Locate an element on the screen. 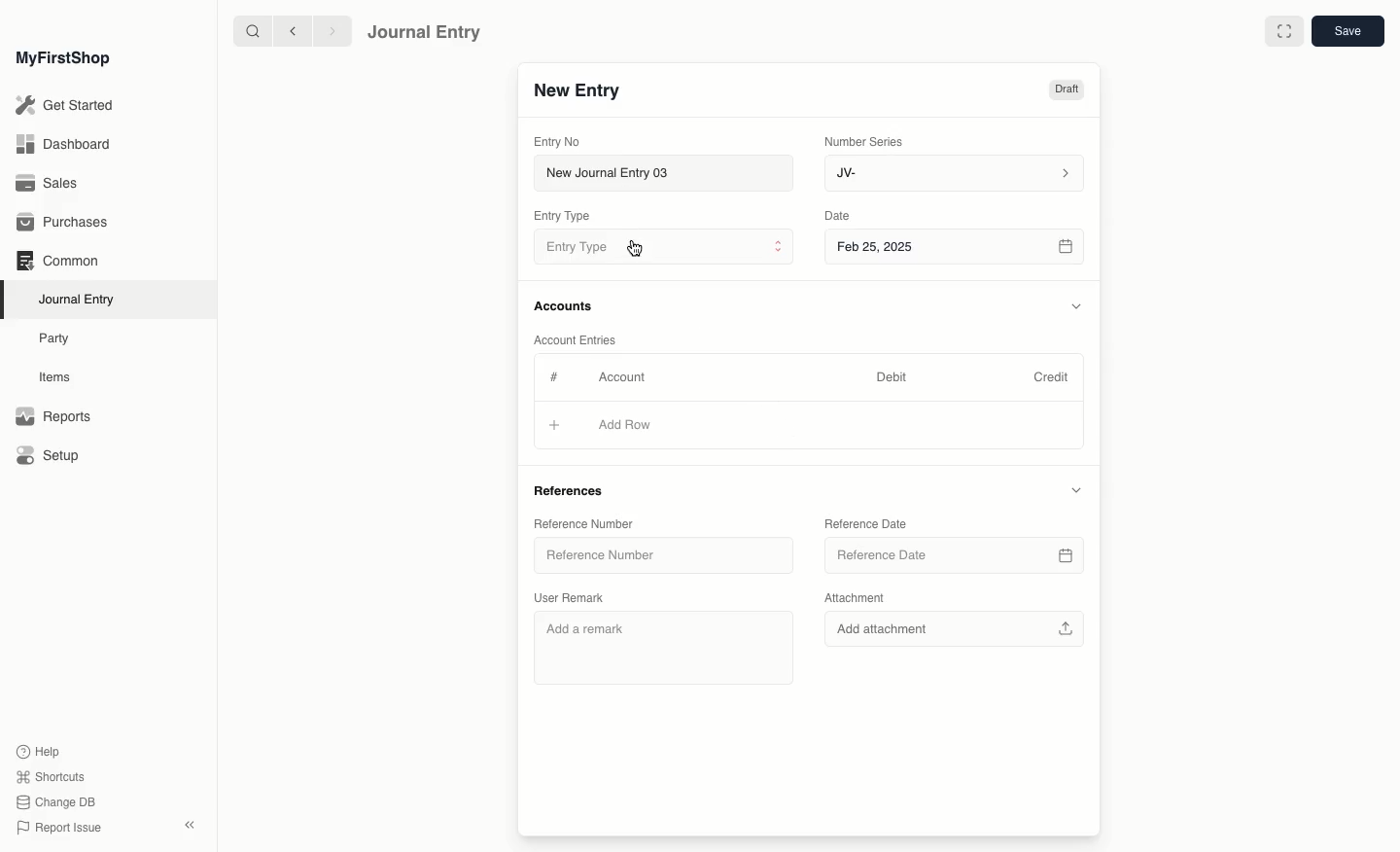 The width and height of the screenshot is (1400, 852). Debit is located at coordinates (892, 376).